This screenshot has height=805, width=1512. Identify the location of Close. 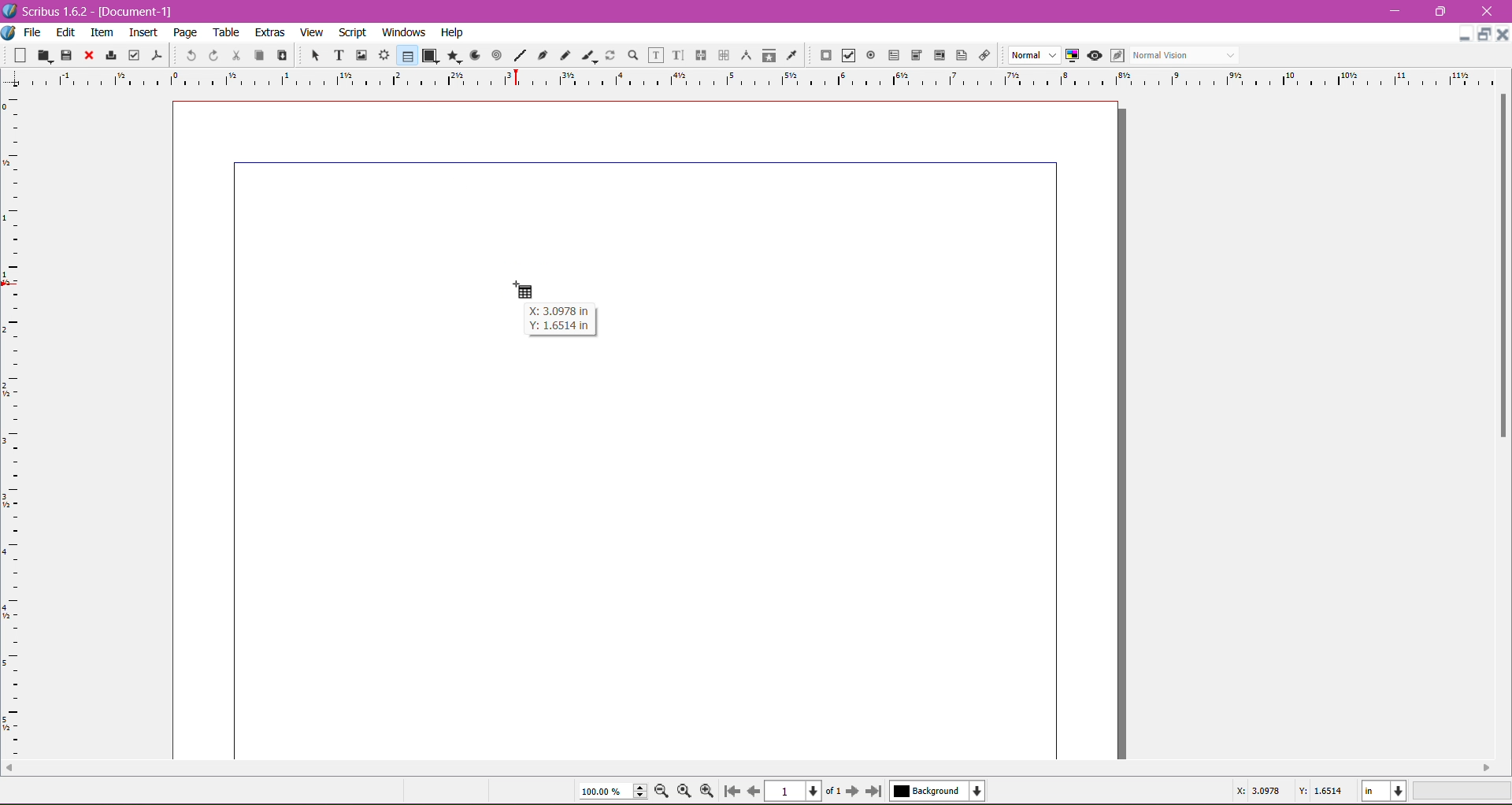
(1503, 33).